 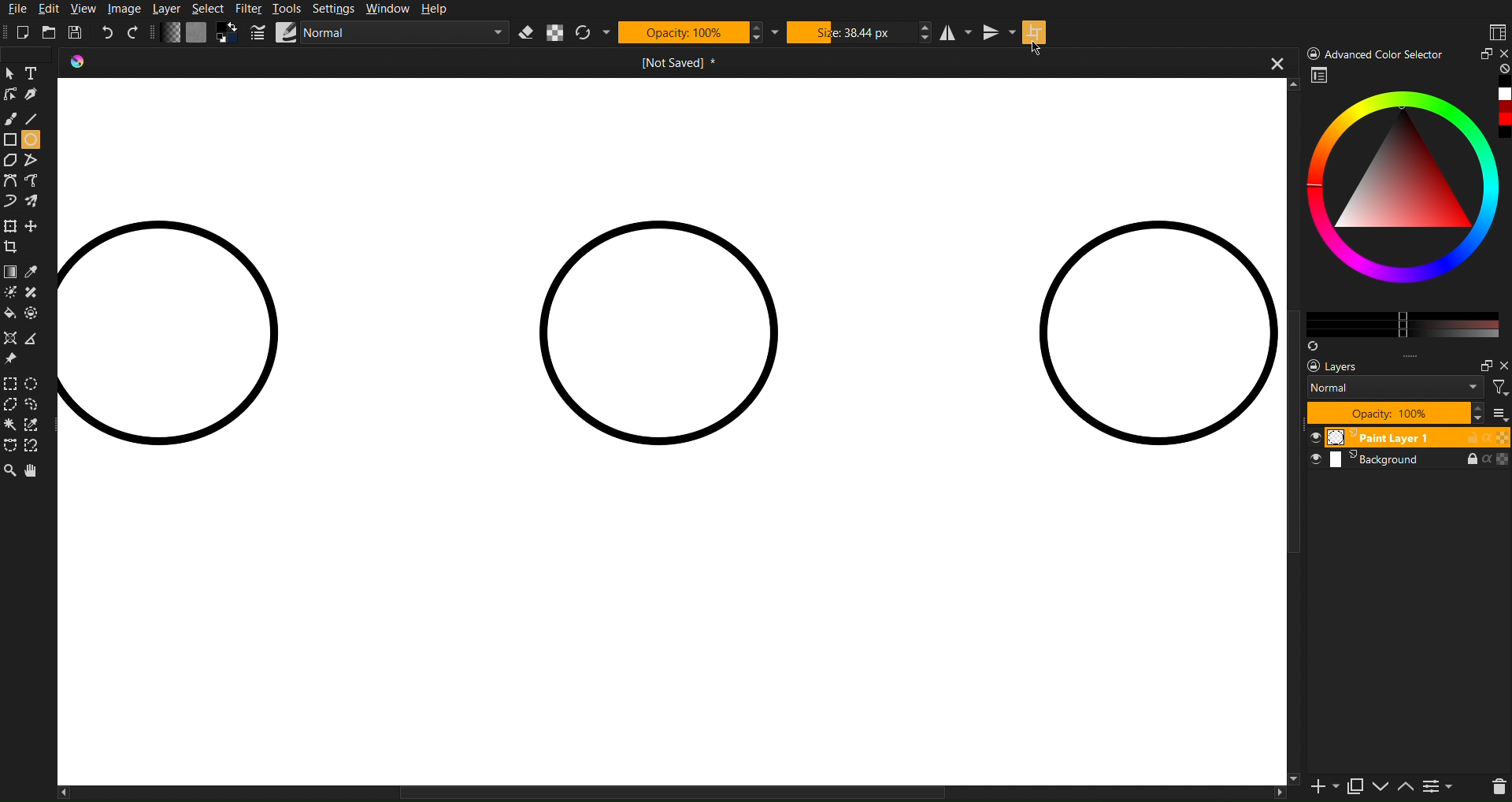 I want to click on copy, so click(x=1352, y=788).